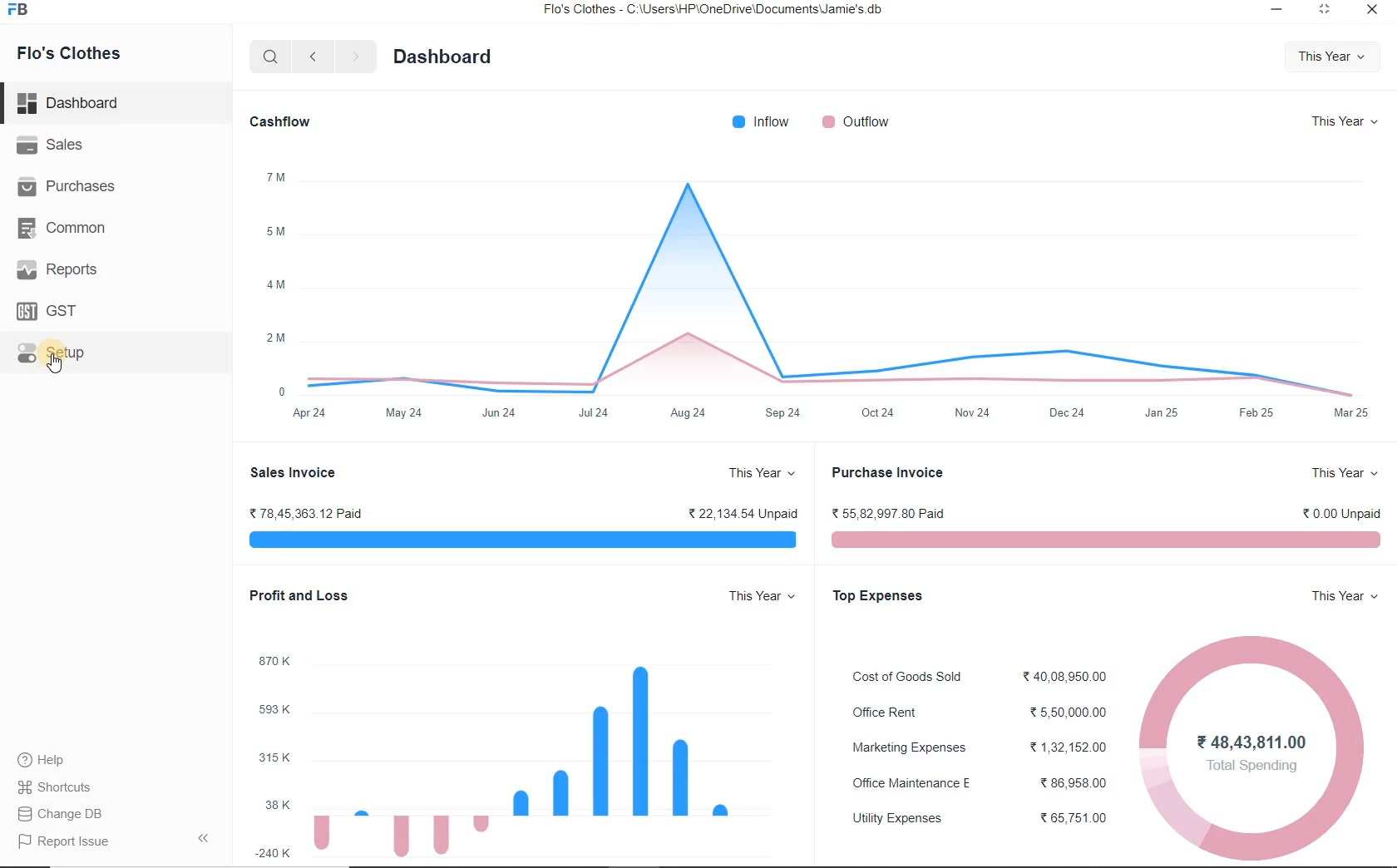  Describe the element at coordinates (1167, 413) in the screenshot. I see `Jan 25` at that location.